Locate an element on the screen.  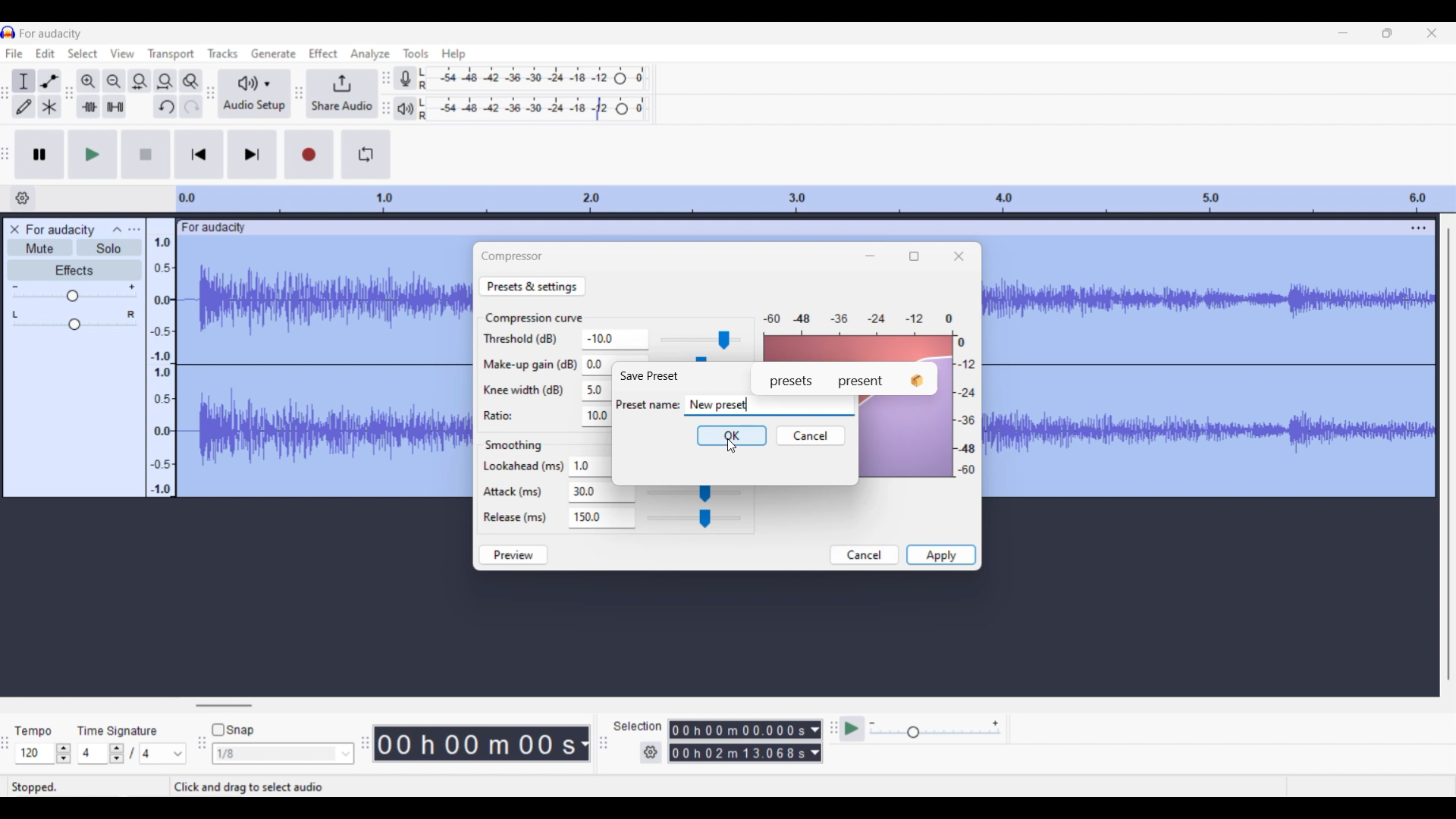
Tools is located at coordinates (416, 52).